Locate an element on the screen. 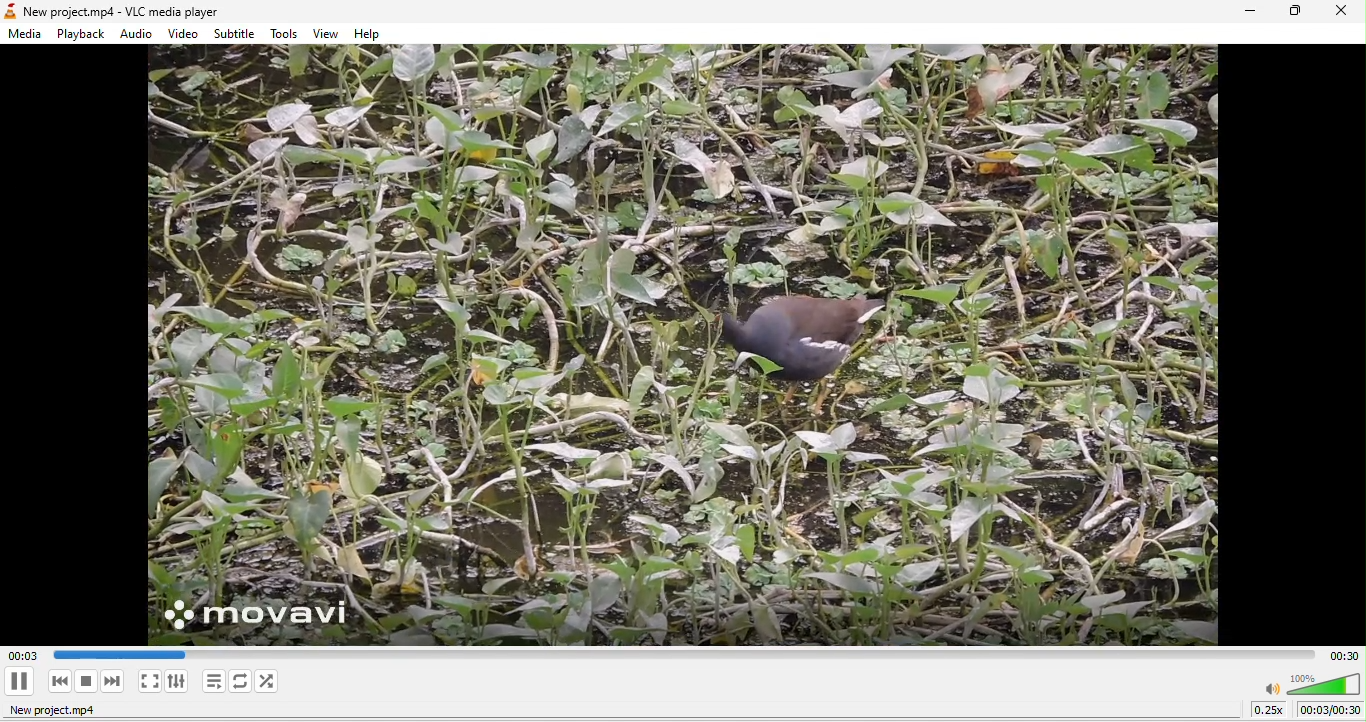 The width and height of the screenshot is (1366, 722). show extended settings is located at coordinates (180, 681).